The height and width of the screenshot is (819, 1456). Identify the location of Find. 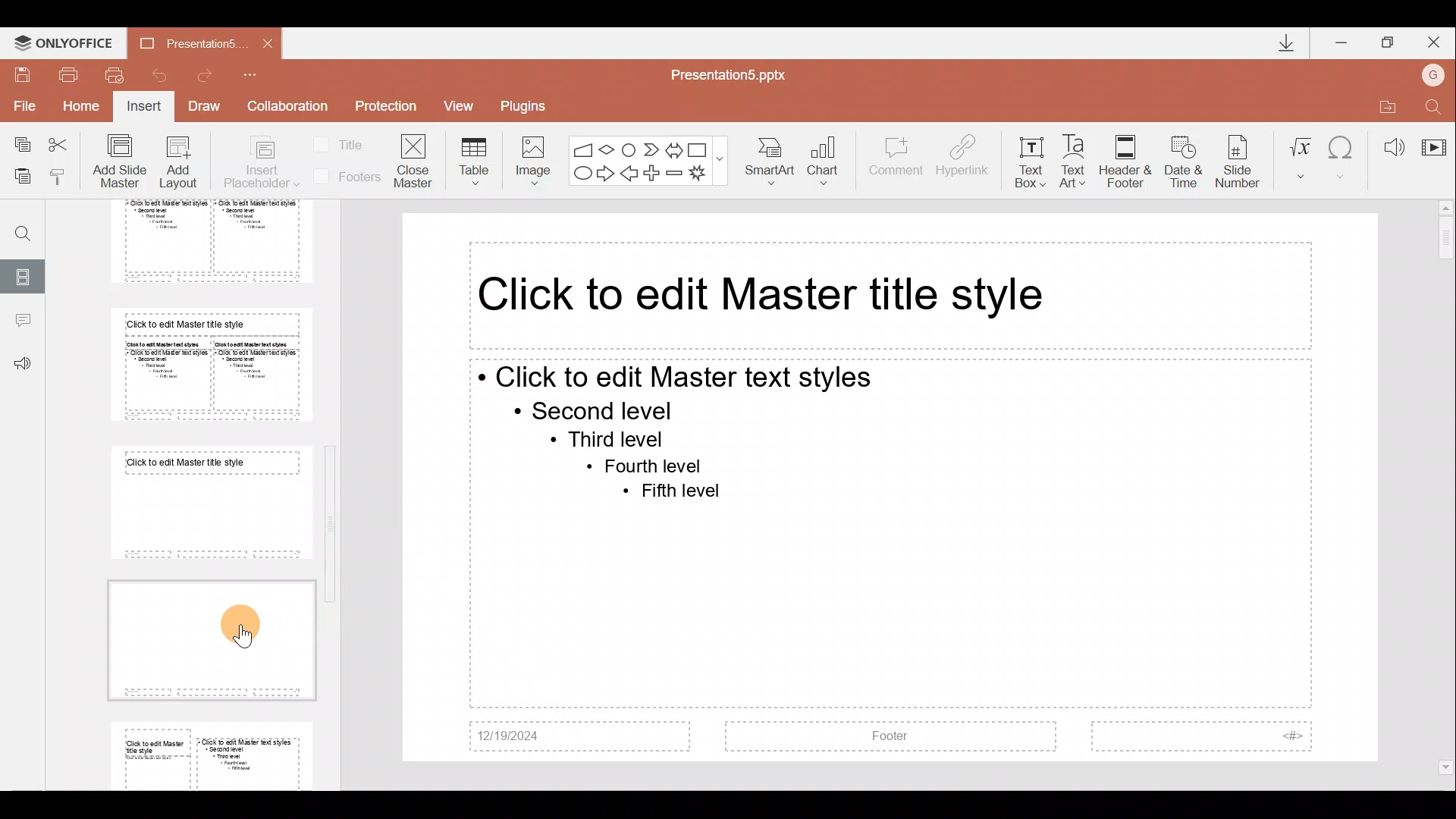
(1435, 104).